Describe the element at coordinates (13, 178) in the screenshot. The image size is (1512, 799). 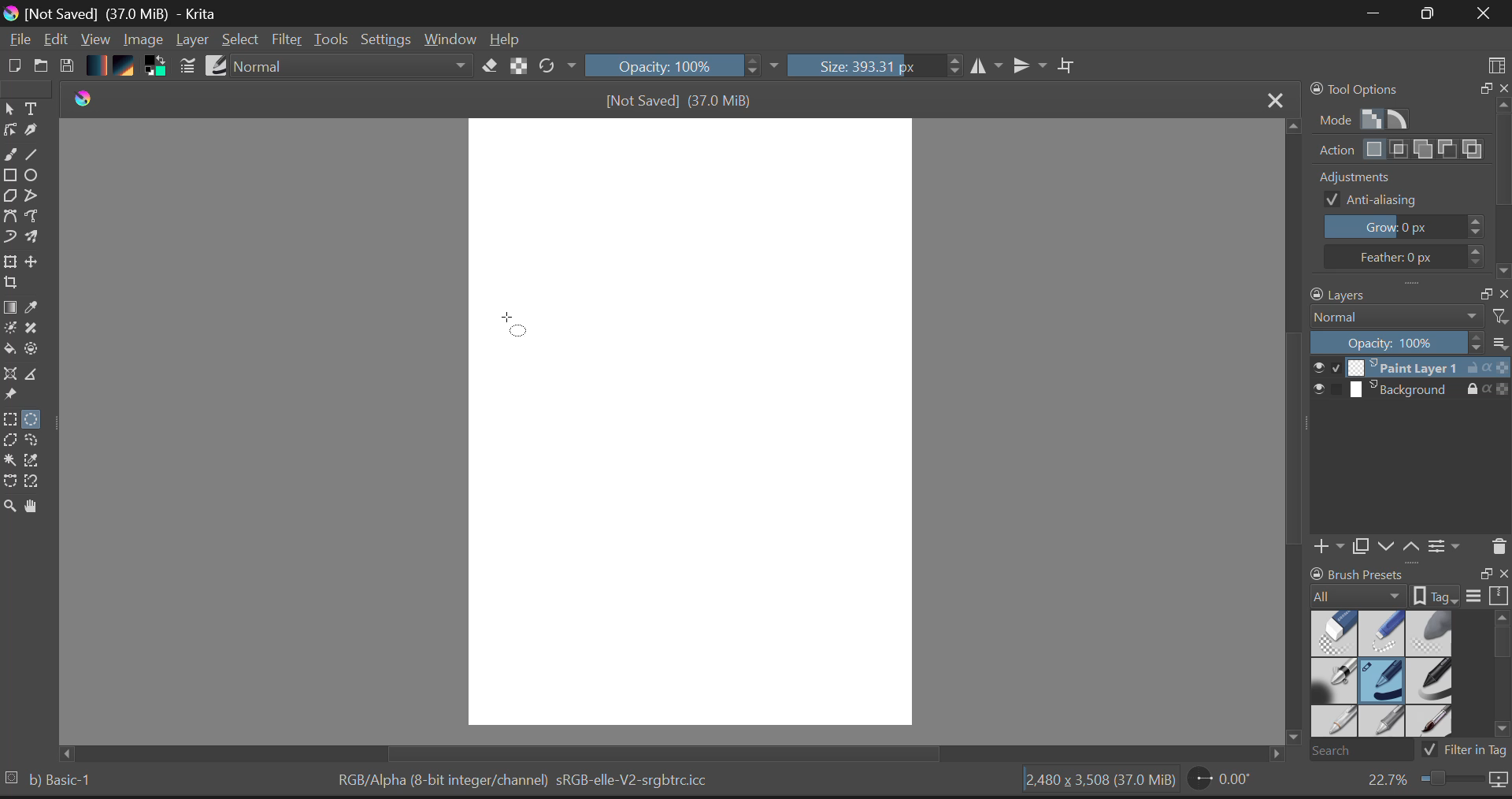
I see `Rectangle` at that location.